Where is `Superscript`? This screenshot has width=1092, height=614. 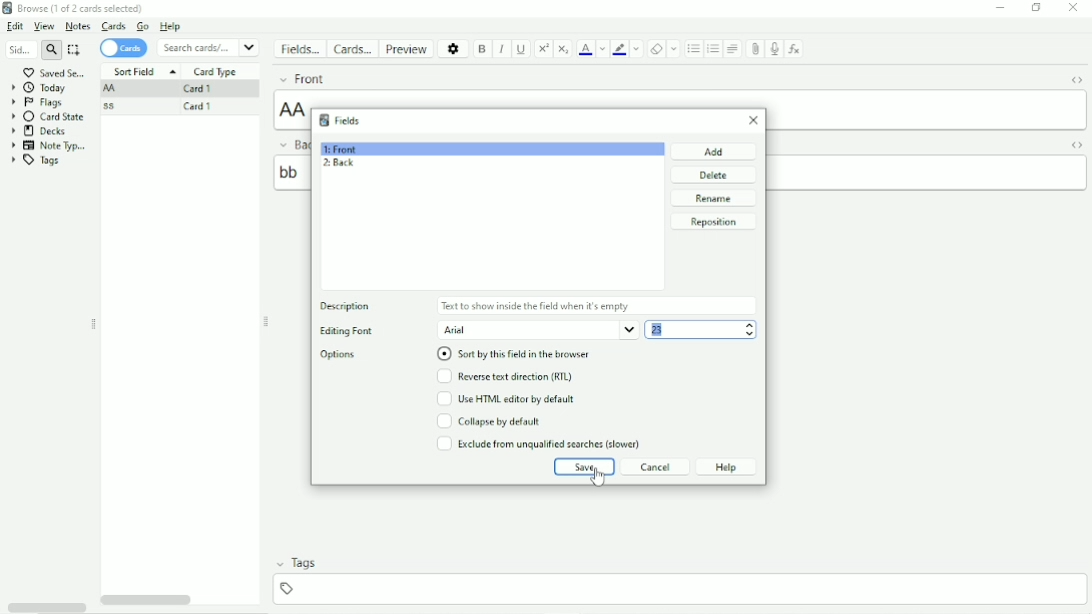 Superscript is located at coordinates (542, 50).